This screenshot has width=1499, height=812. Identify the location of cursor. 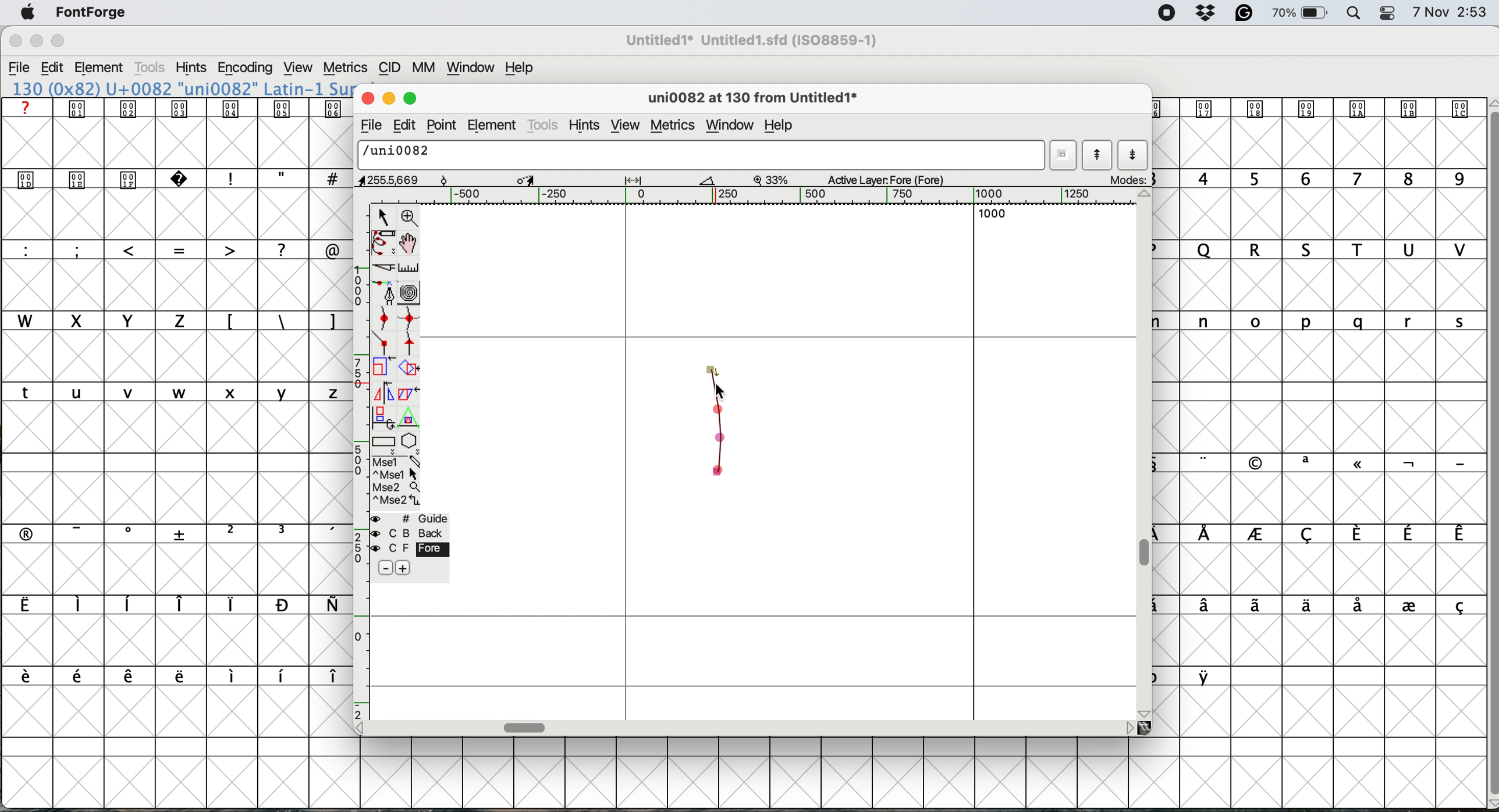
(721, 389).